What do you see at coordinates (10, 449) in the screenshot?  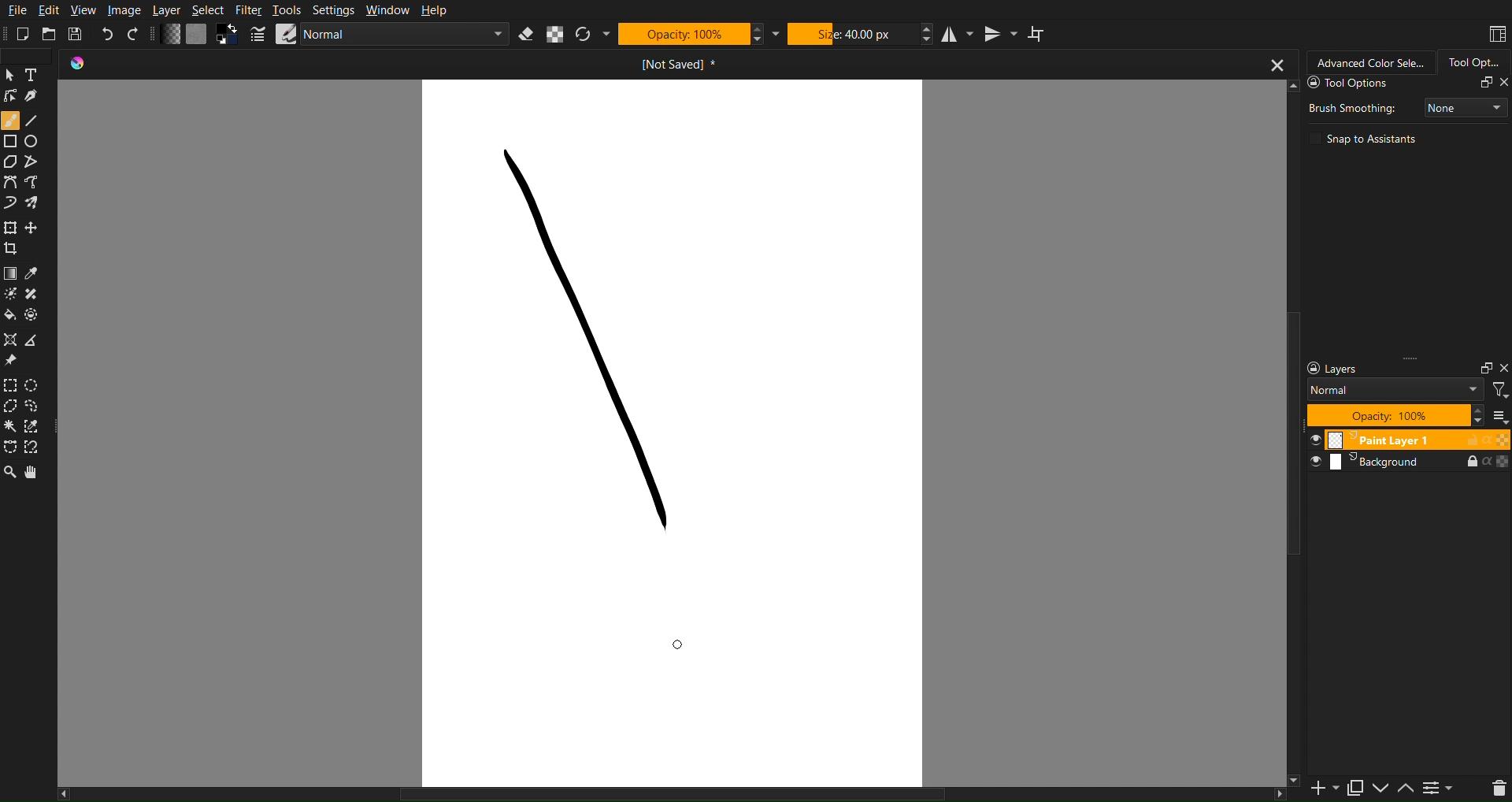 I see `Selection Tools` at bounding box center [10, 449].